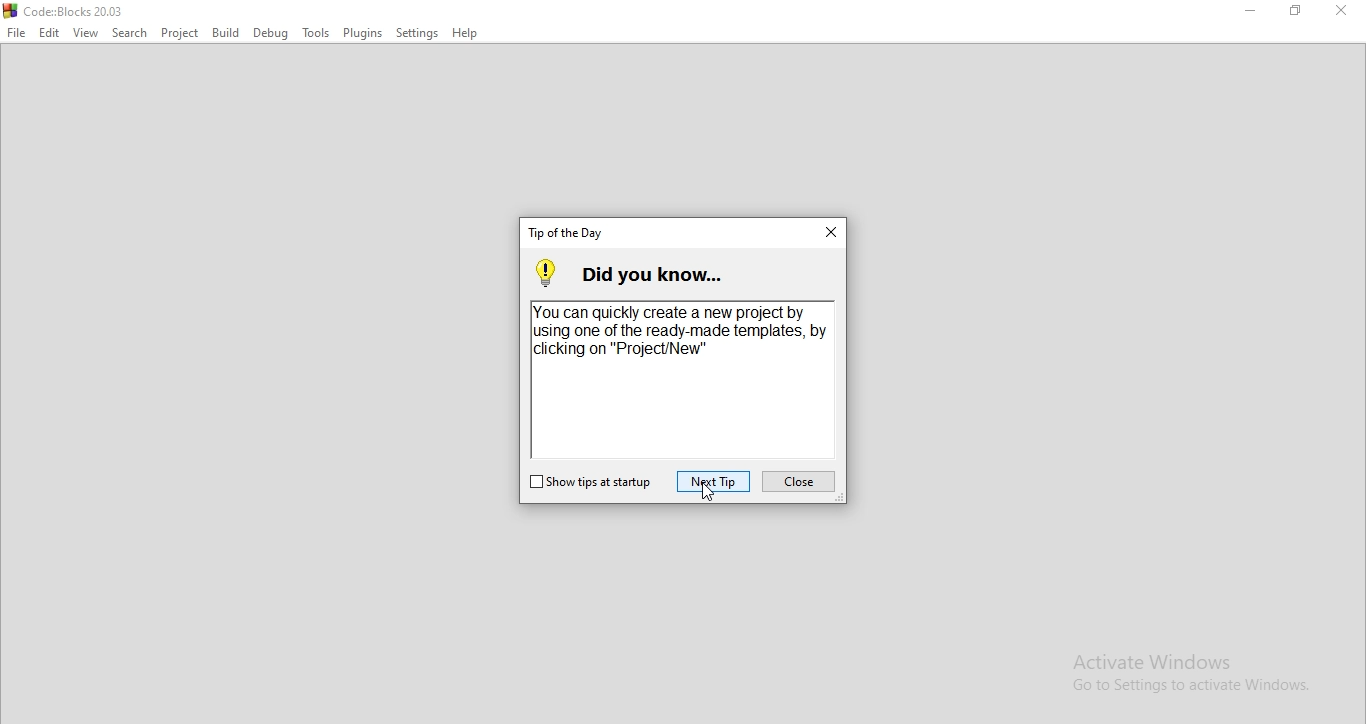 The height and width of the screenshot is (724, 1366). Describe the element at coordinates (681, 332) in the screenshot. I see `You can quickly create a new project by
using one of the ready-made templates, by
clicking on "Project/New"` at that location.